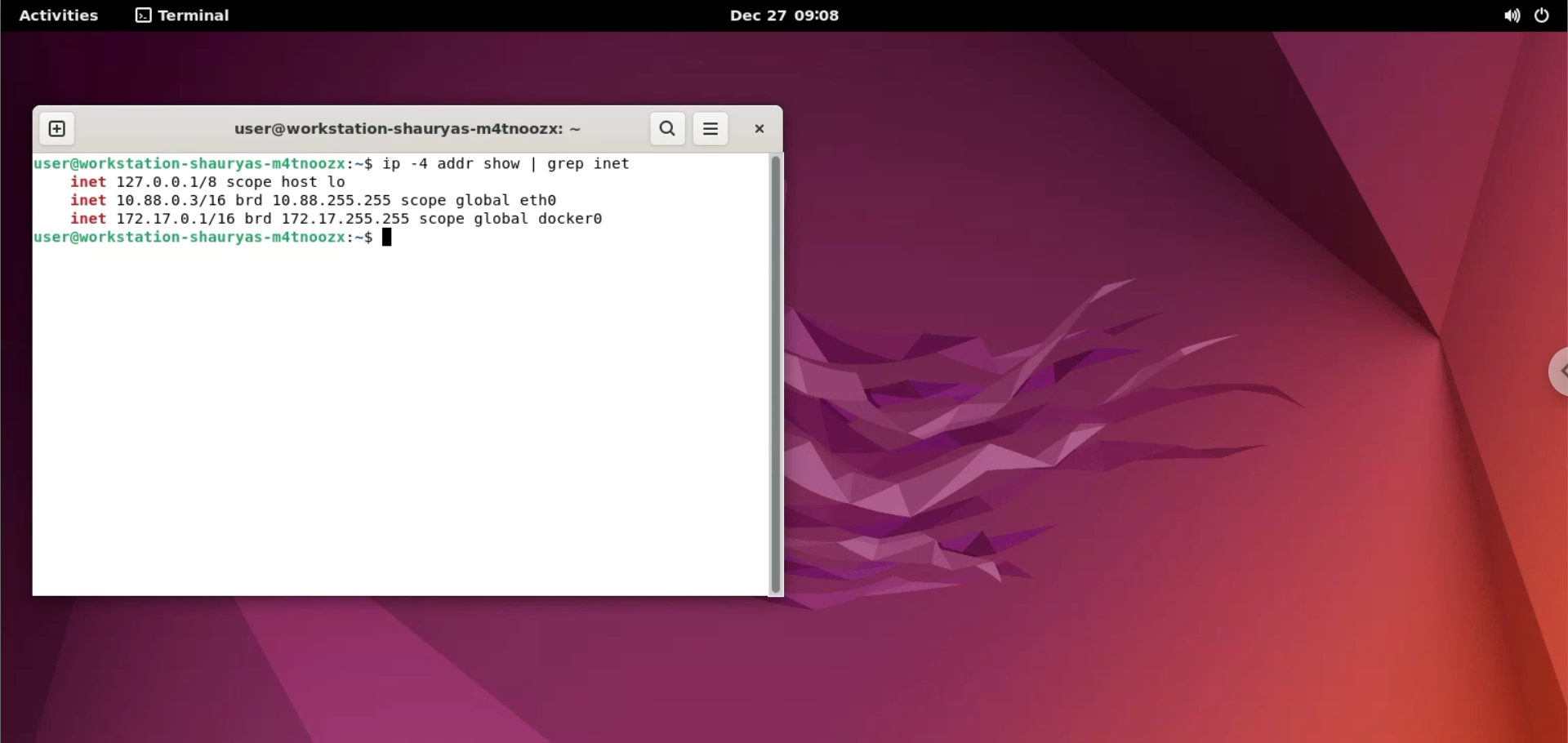  I want to click on terminal cursor, so click(389, 238).